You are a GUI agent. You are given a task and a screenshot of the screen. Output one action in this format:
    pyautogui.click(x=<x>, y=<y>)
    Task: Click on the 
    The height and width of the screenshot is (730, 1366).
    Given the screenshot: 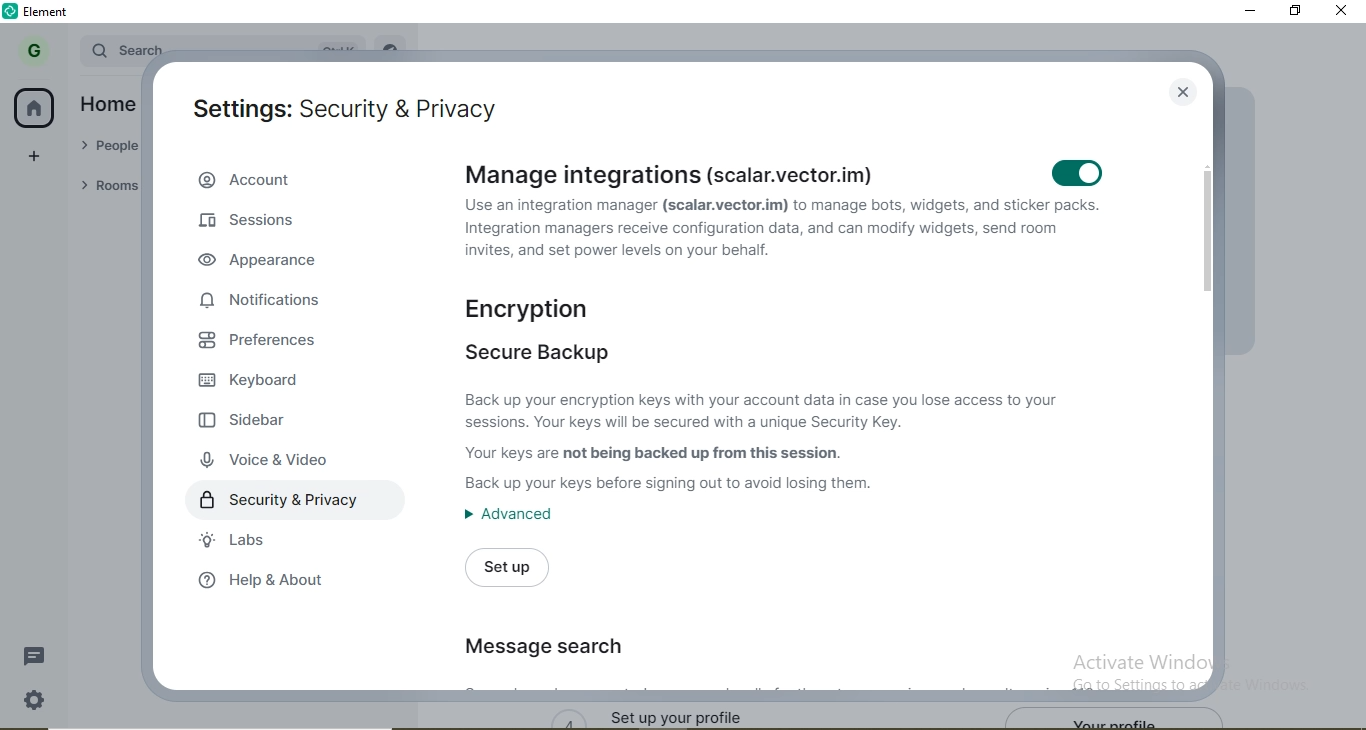 What is the action you would take?
    pyautogui.click(x=297, y=504)
    